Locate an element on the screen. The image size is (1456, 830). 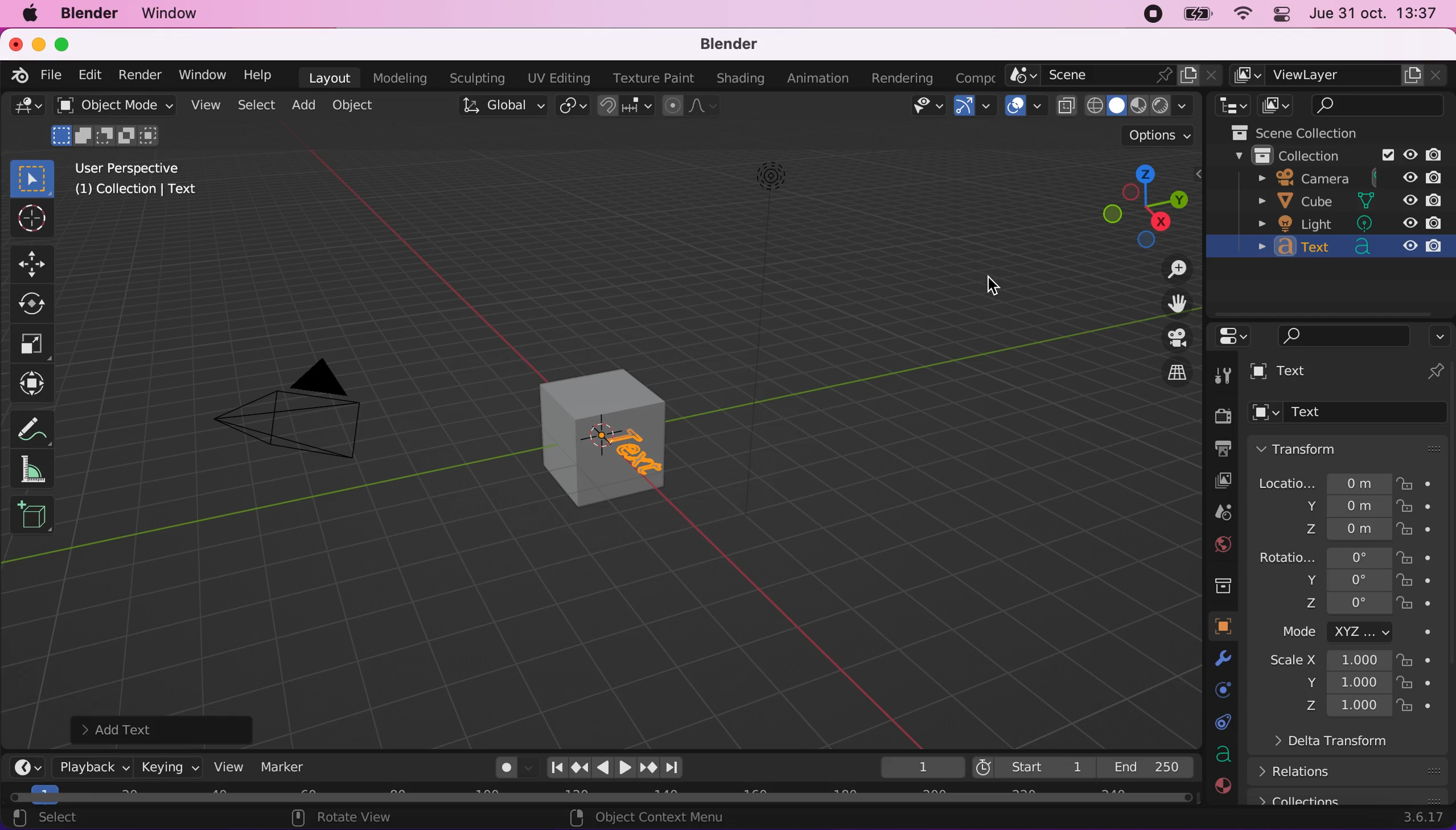
display the view is located at coordinates (1169, 338).